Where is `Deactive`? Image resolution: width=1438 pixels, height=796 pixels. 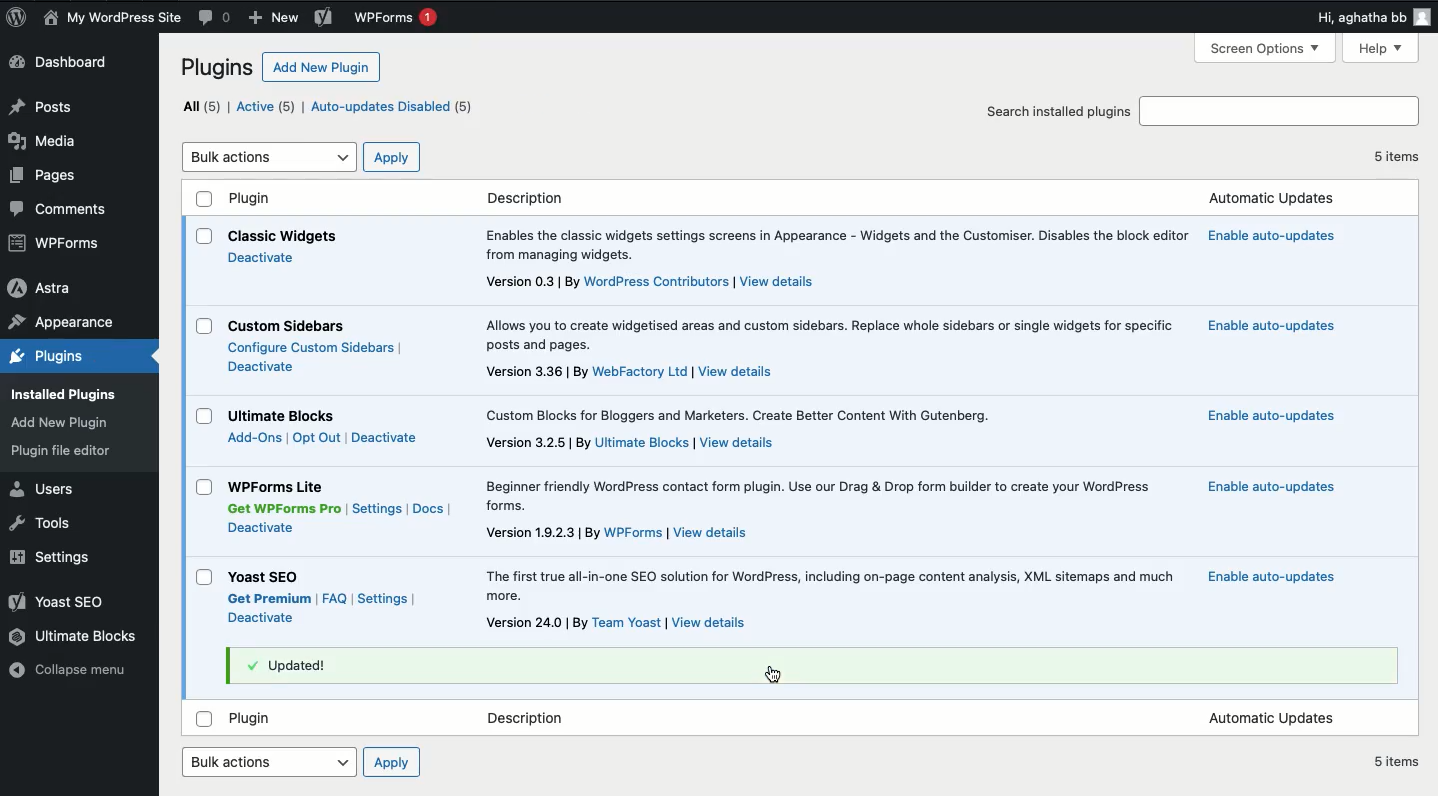
Deactive is located at coordinates (263, 527).